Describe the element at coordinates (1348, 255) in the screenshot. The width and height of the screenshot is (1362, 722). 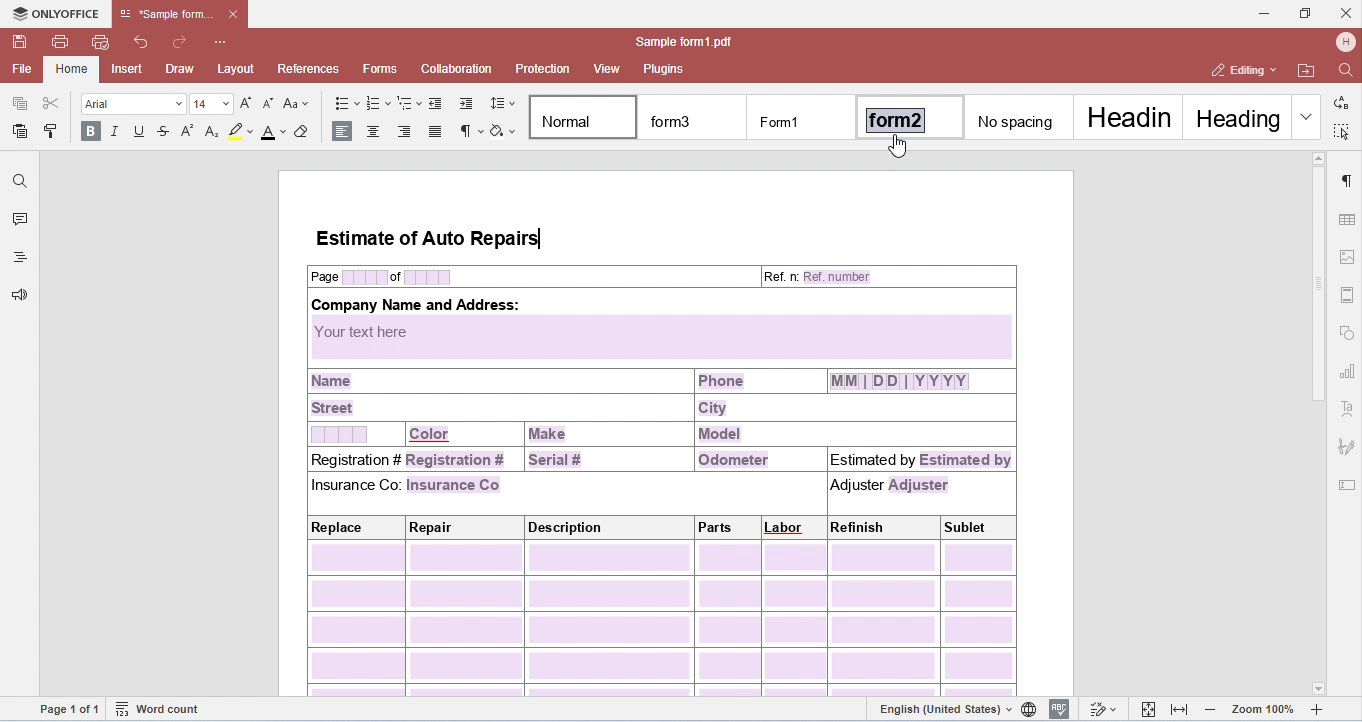
I see `image settings` at that location.